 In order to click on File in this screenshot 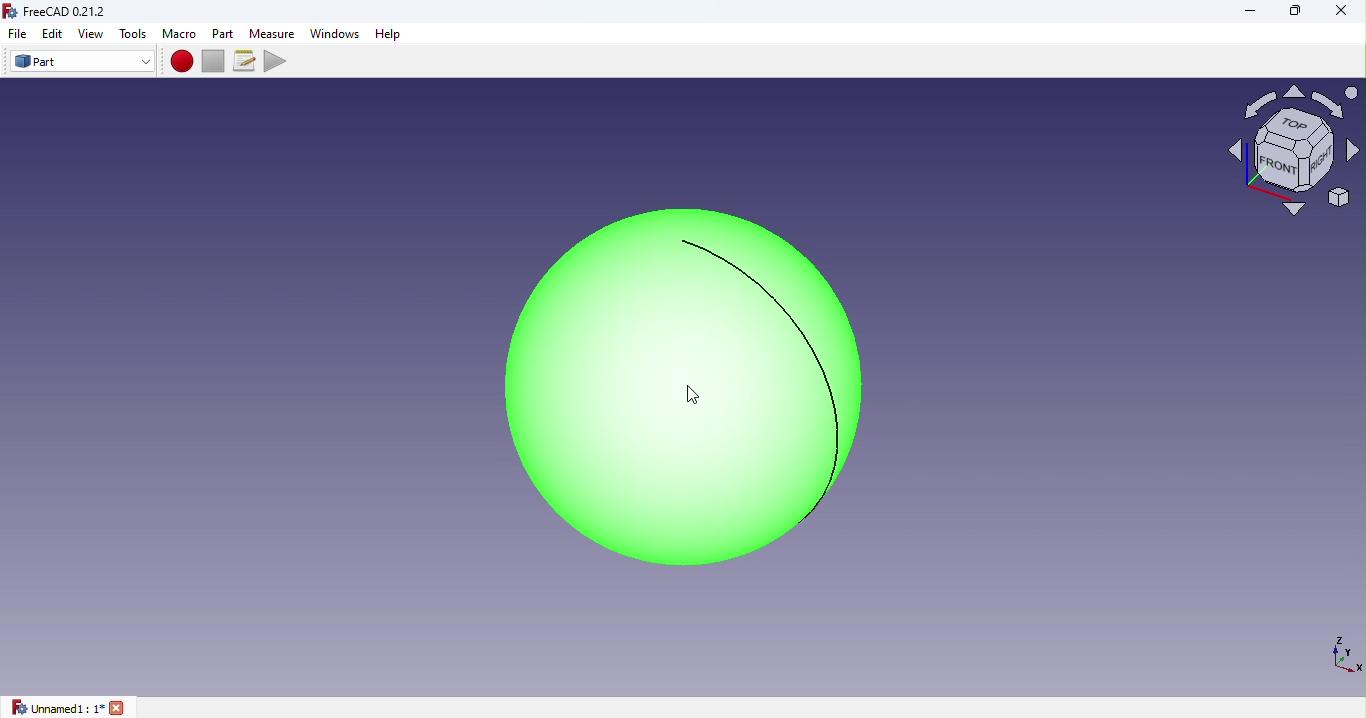, I will do `click(14, 34)`.